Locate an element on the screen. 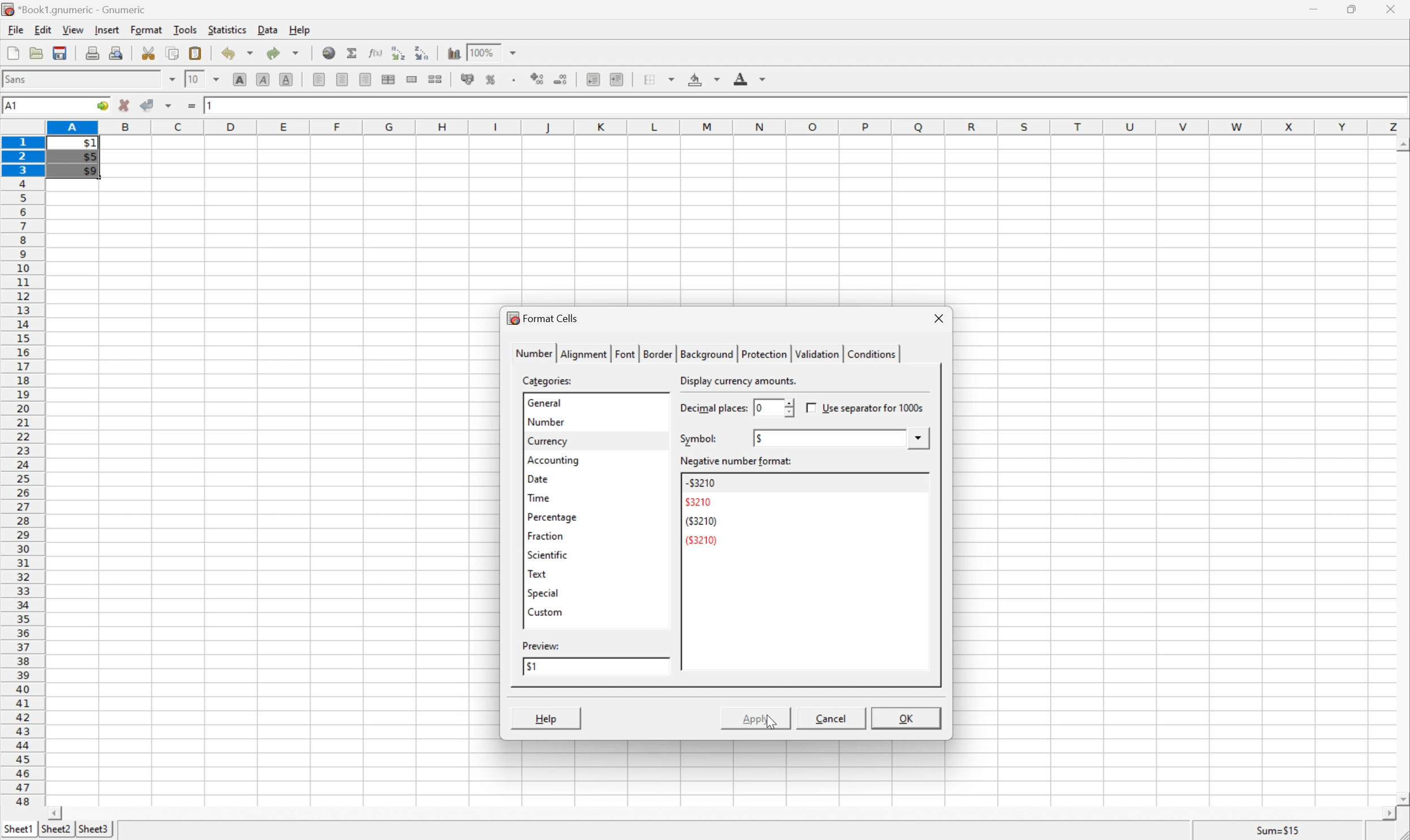 Image resolution: width=1410 pixels, height=840 pixels. select an appropriate format automatically. is located at coordinates (779, 381).